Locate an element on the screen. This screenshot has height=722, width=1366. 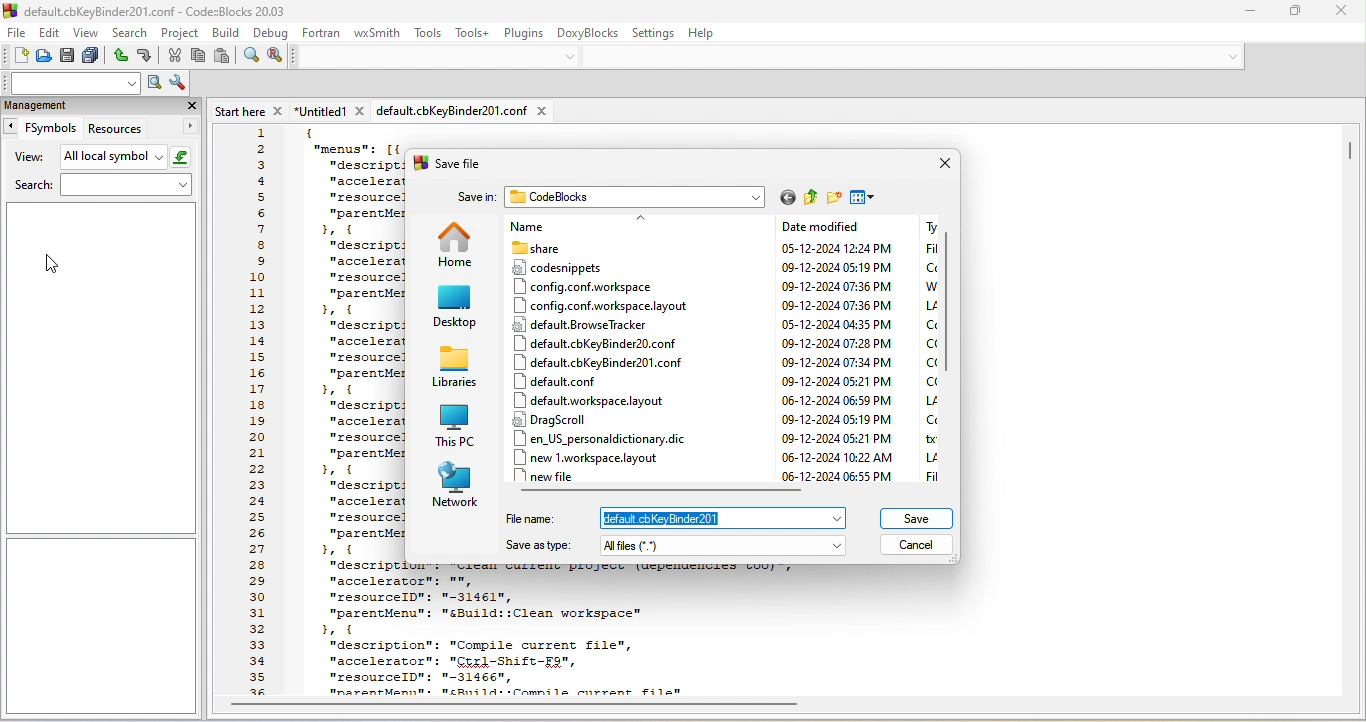
default cbkey binder201 conf is located at coordinates (605, 362).